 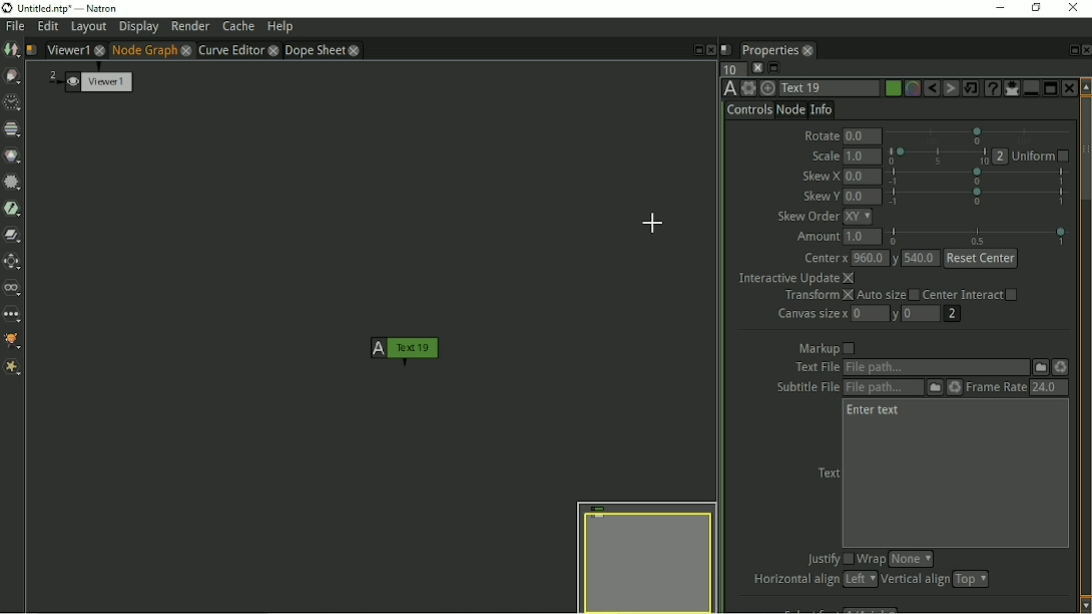 I want to click on Amount, so click(x=817, y=236).